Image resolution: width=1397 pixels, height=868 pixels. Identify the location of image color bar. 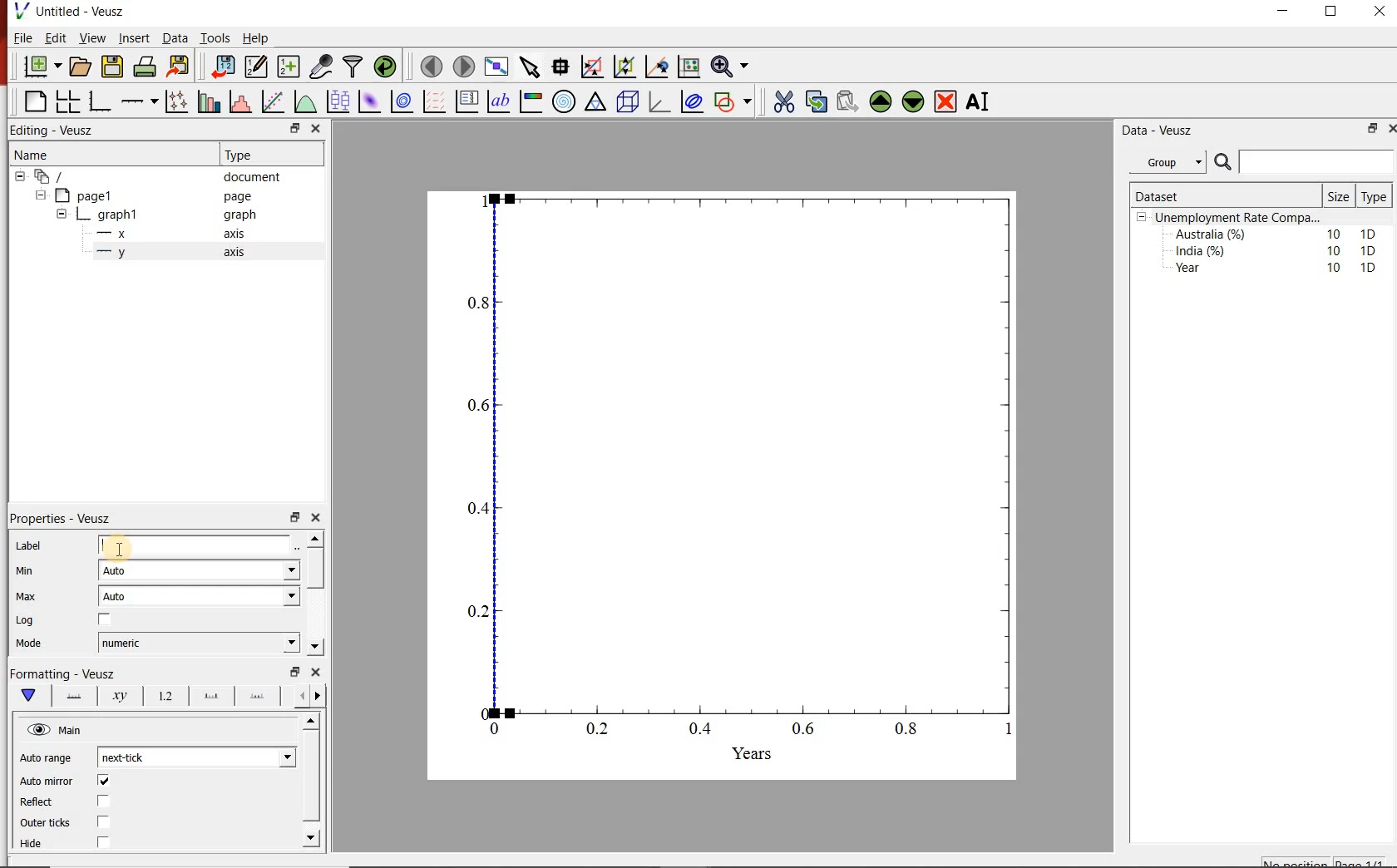
(531, 102).